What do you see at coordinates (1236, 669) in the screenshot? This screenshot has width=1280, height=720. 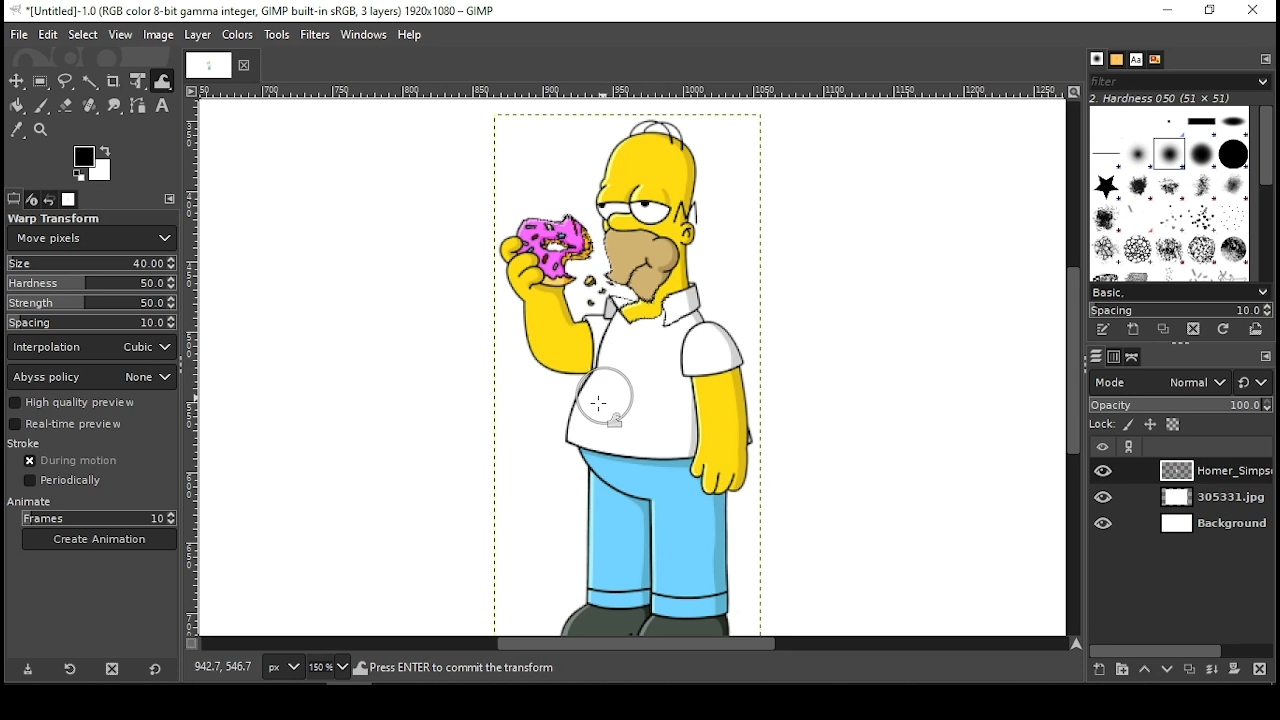 I see `add mask` at bounding box center [1236, 669].